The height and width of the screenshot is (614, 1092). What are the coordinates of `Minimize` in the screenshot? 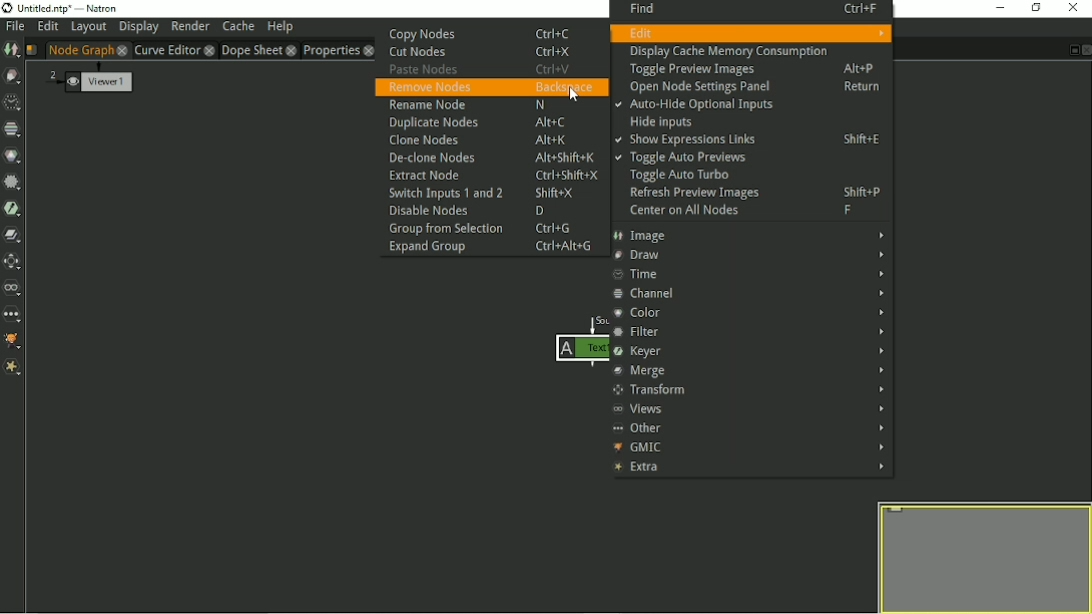 It's located at (998, 7).